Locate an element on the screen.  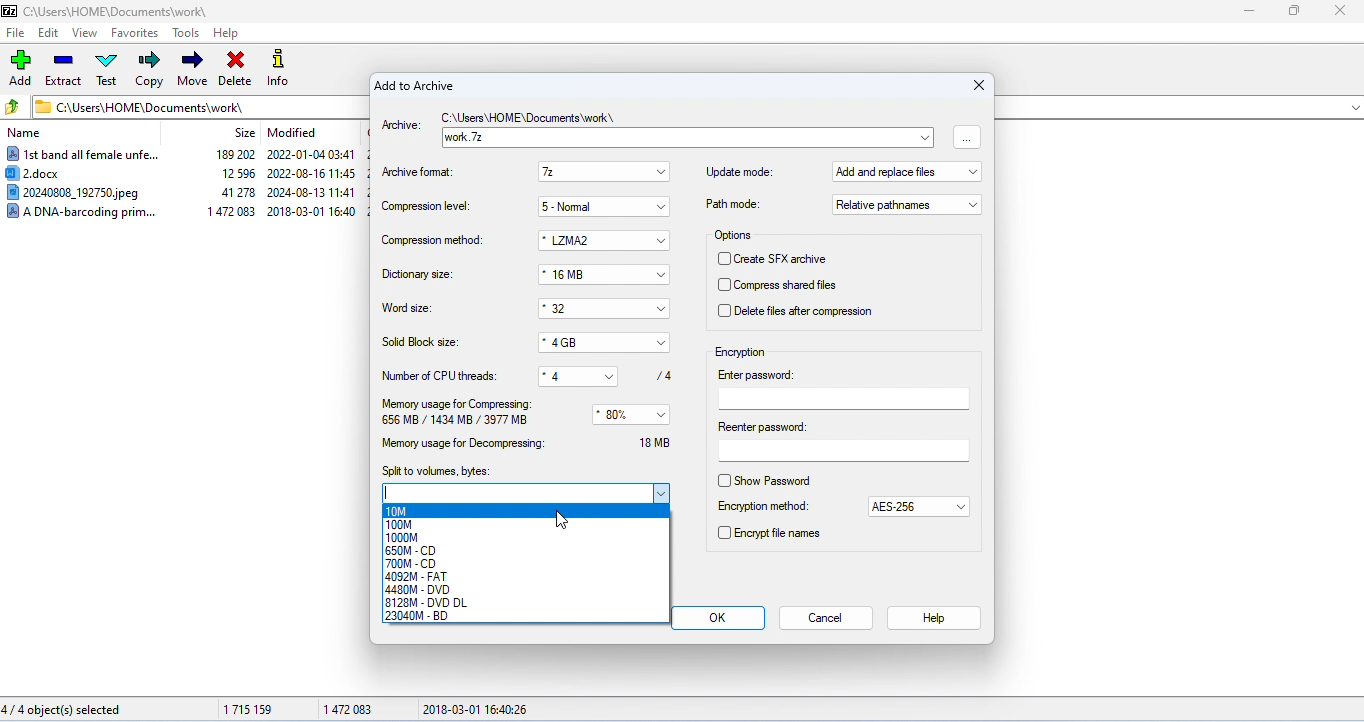
4/4 object(s) selected is located at coordinates (62, 710).